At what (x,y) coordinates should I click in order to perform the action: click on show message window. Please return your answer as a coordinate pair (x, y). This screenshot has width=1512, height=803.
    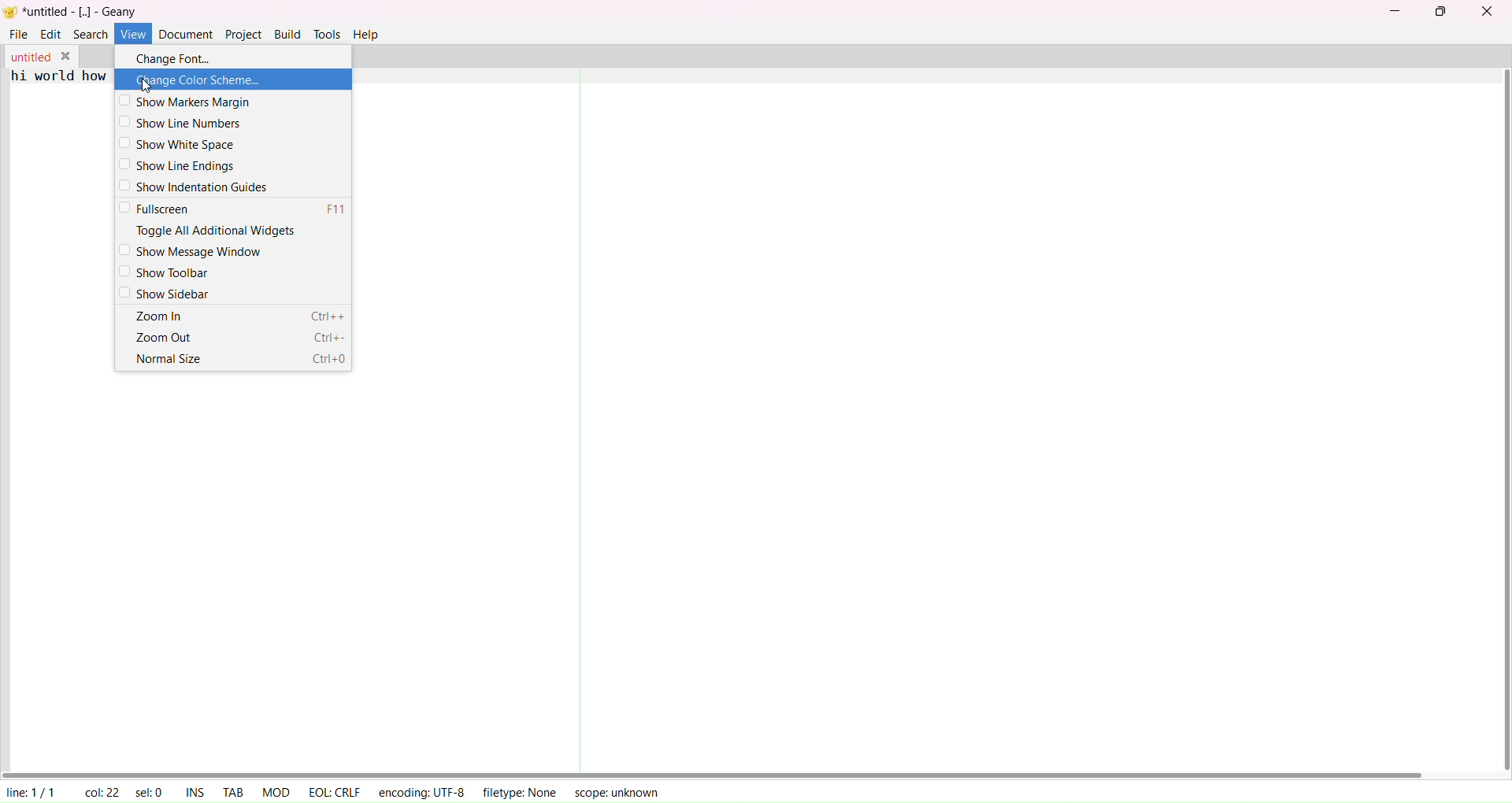
    Looking at the image, I should click on (193, 250).